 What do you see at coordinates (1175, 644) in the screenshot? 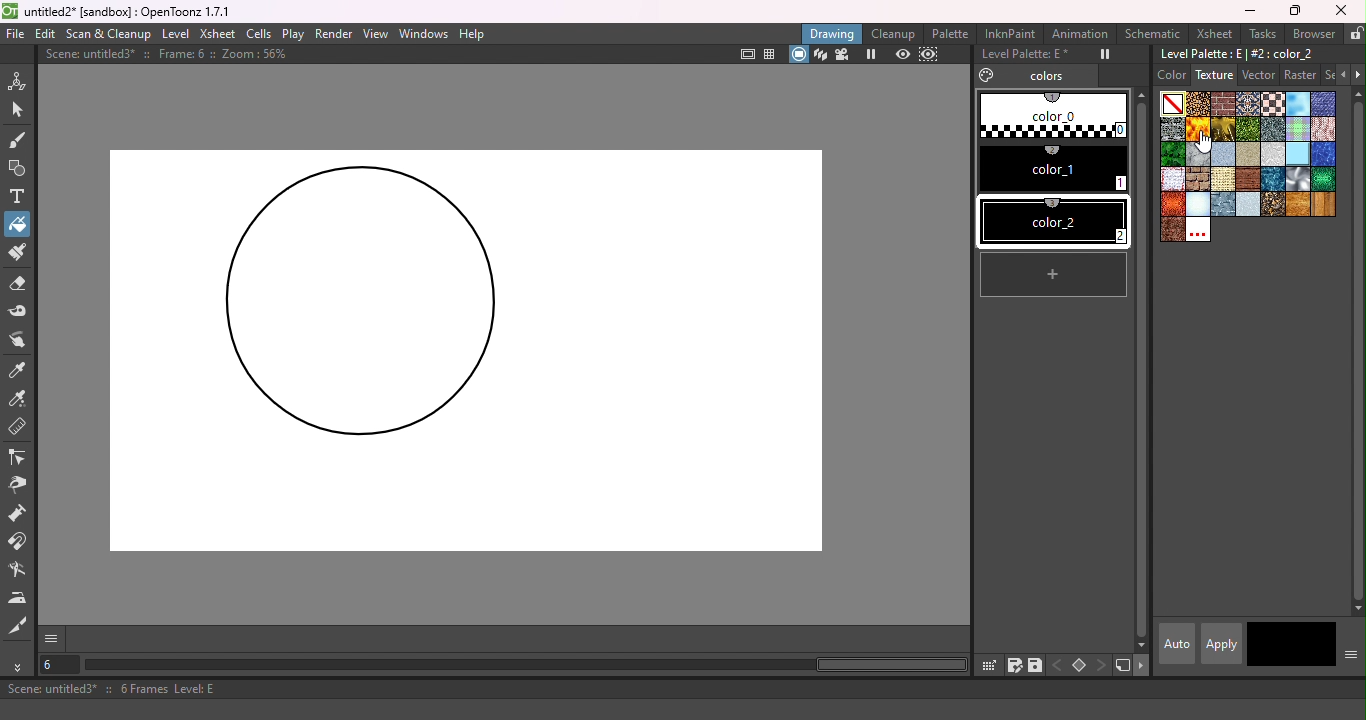
I see `Auto` at bounding box center [1175, 644].